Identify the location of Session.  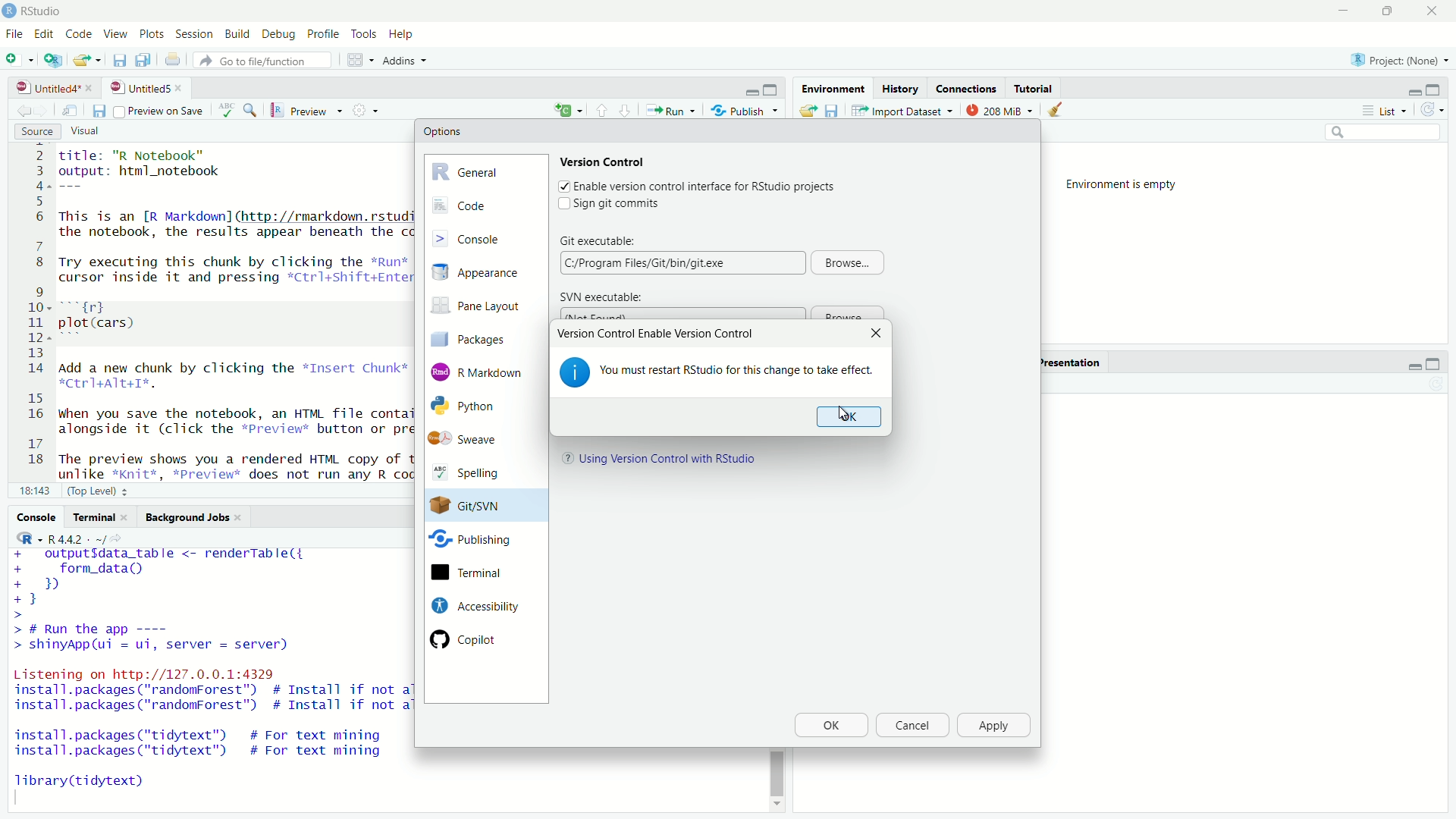
(196, 35).